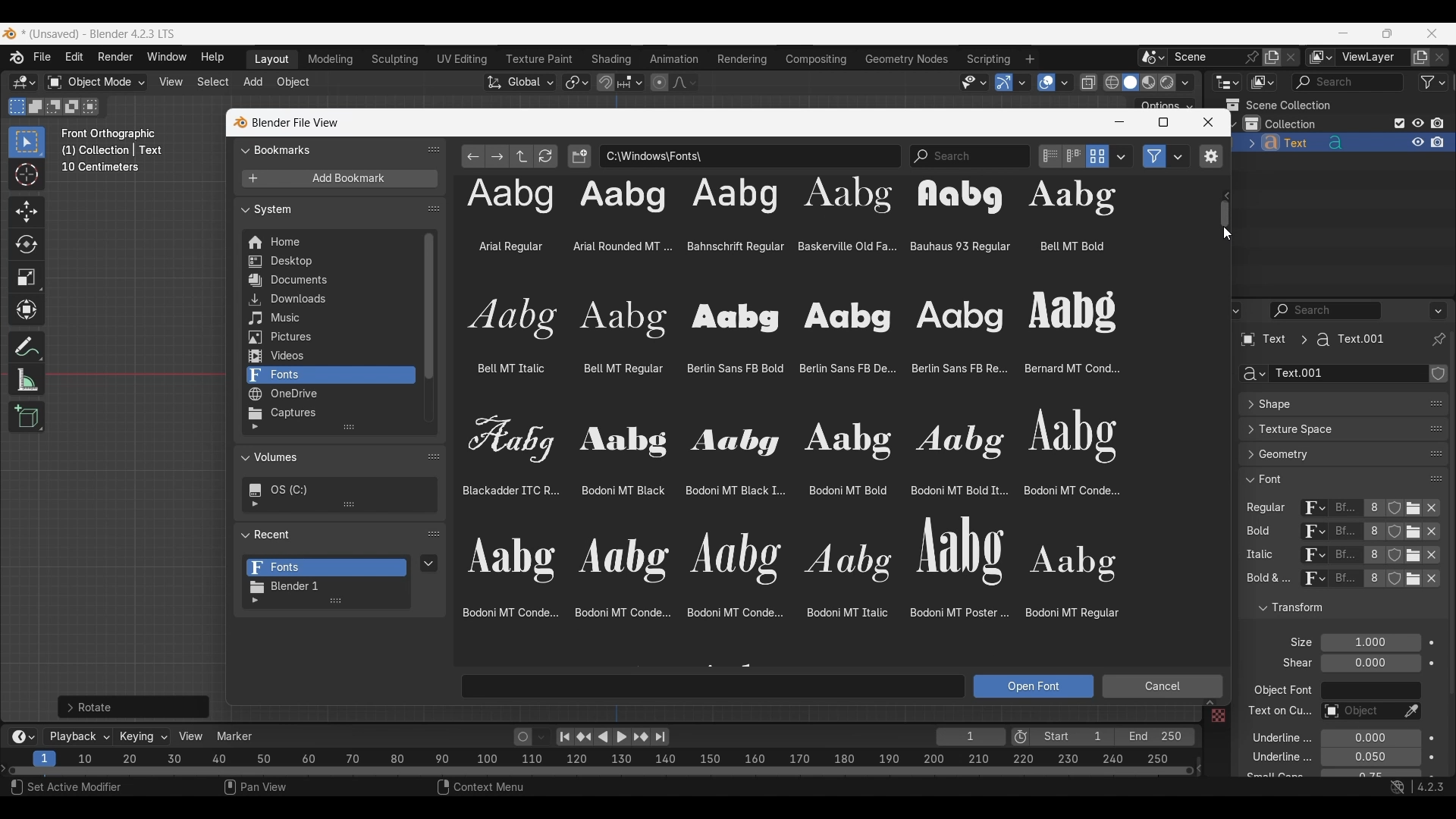 The height and width of the screenshot is (819, 1456). I want to click on Click to expand Shape, so click(1327, 405).